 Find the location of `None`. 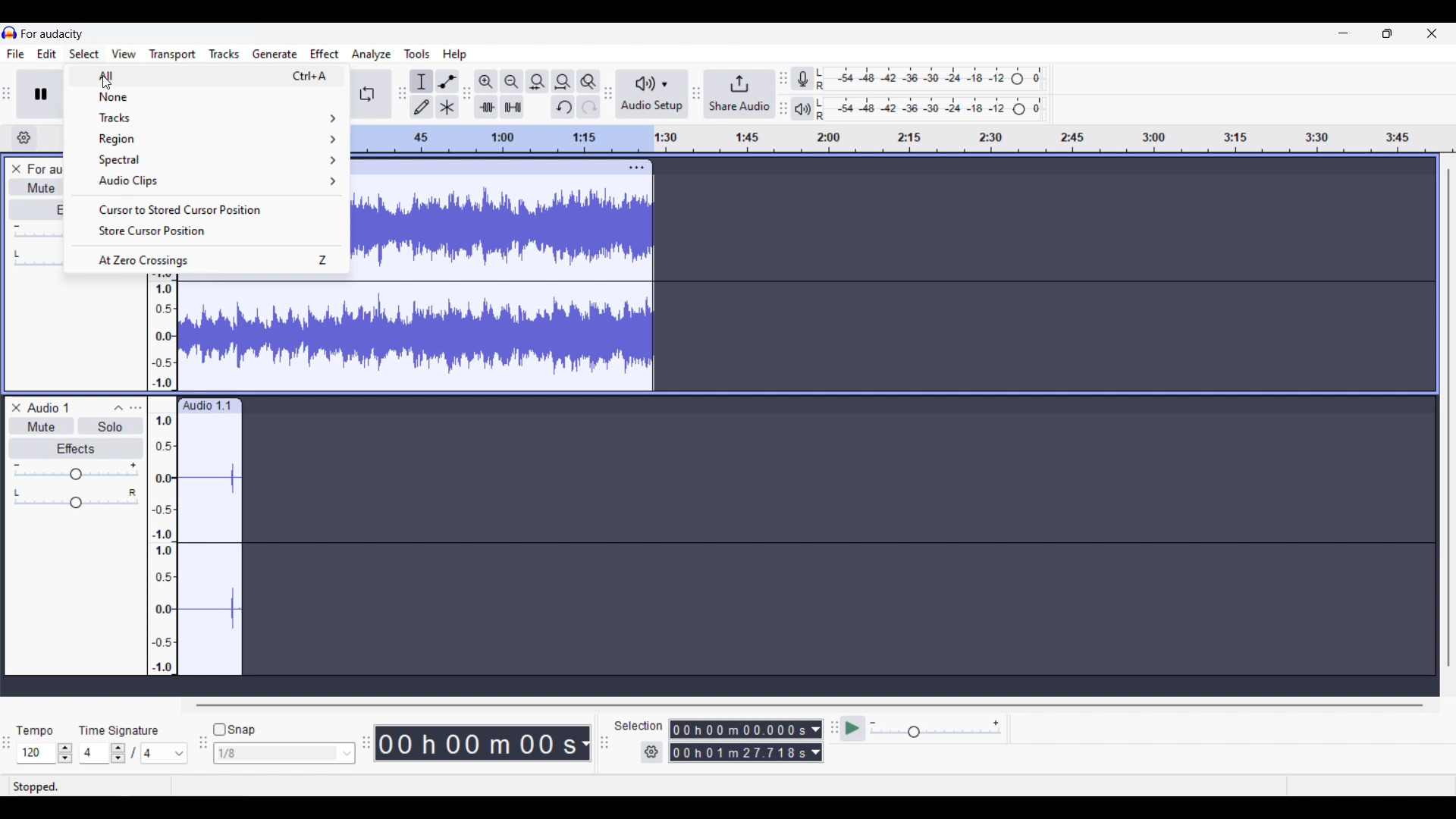

None is located at coordinates (206, 97).